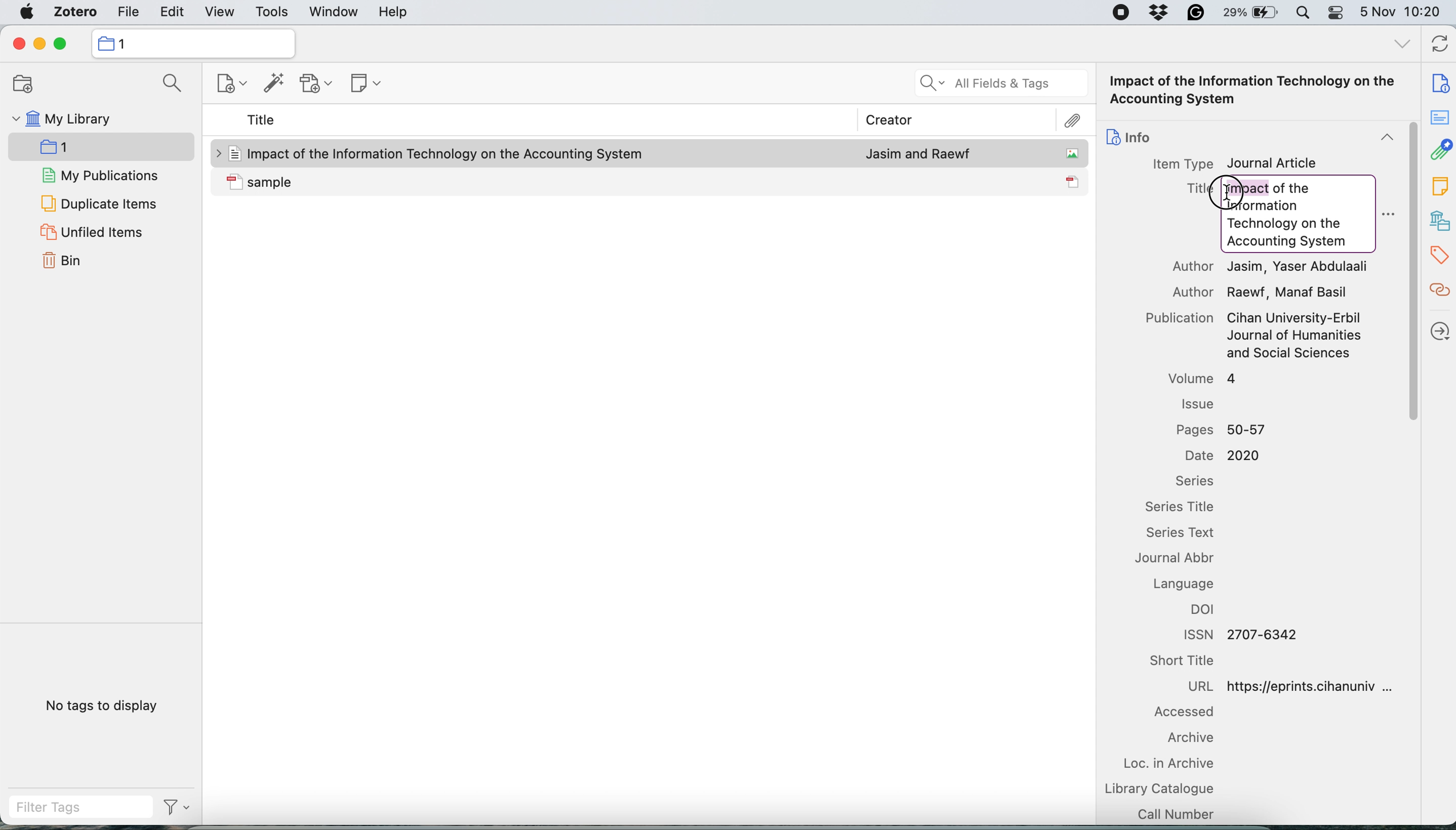  I want to click on libraries and collection, so click(1439, 220).